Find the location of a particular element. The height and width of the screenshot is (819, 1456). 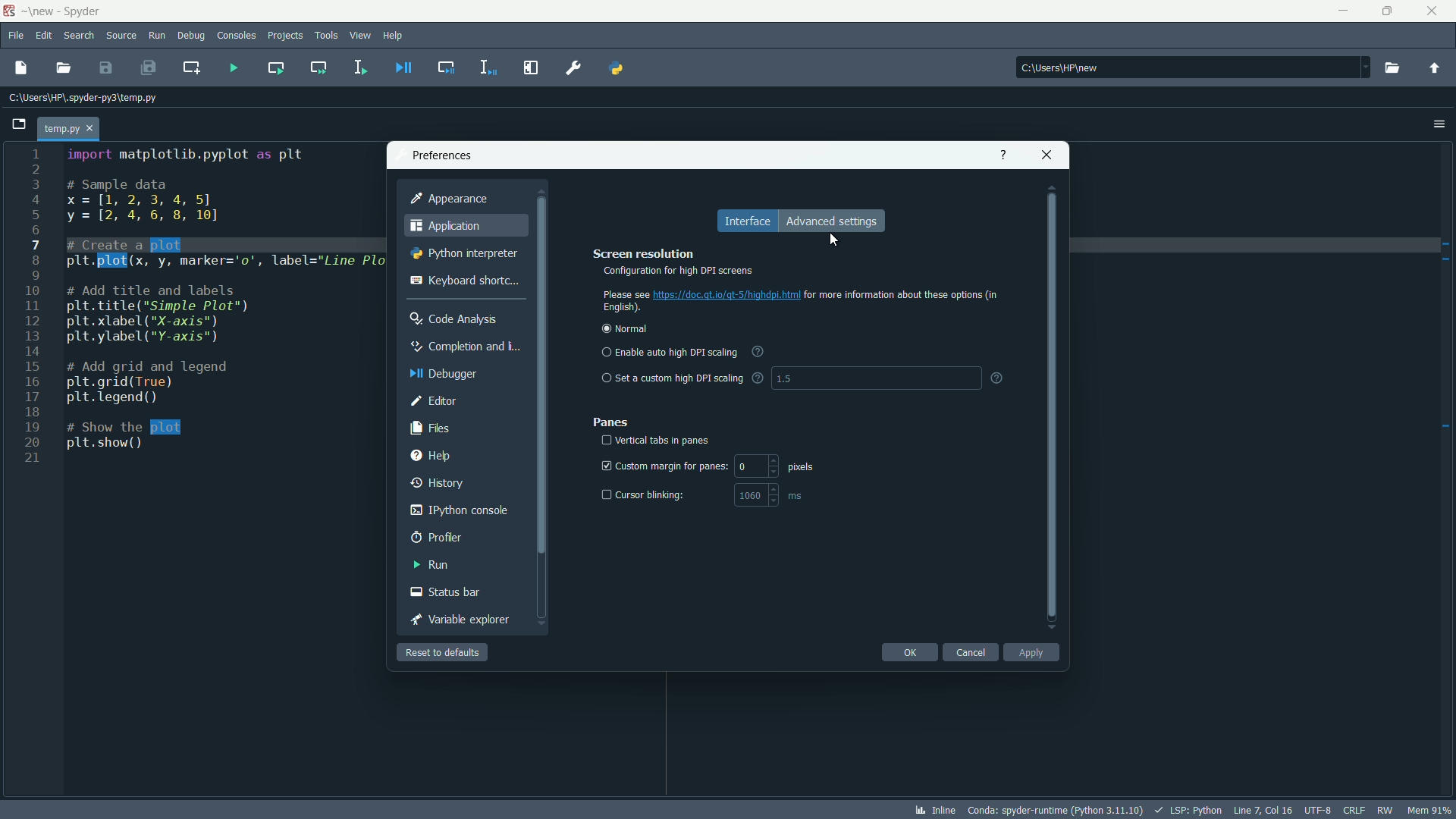

appearance is located at coordinates (450, 198).